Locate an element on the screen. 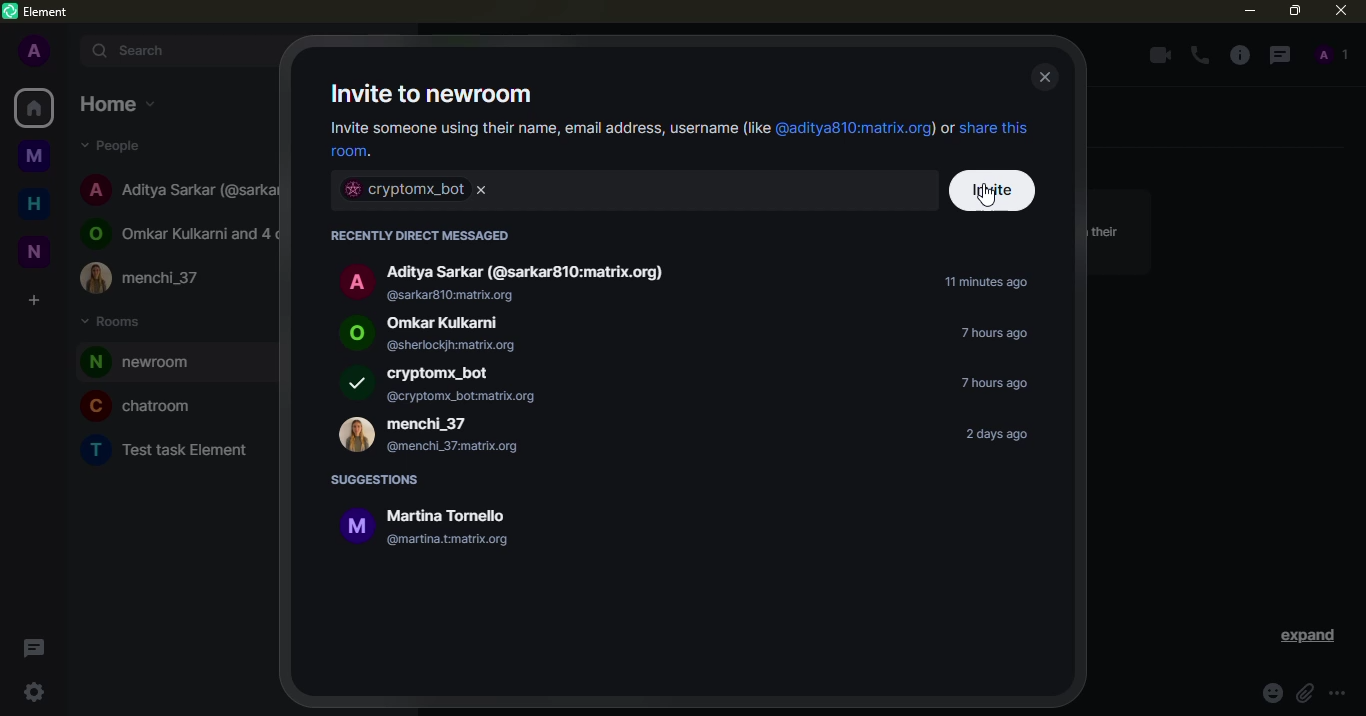  people is located at coordinates (119, 146).